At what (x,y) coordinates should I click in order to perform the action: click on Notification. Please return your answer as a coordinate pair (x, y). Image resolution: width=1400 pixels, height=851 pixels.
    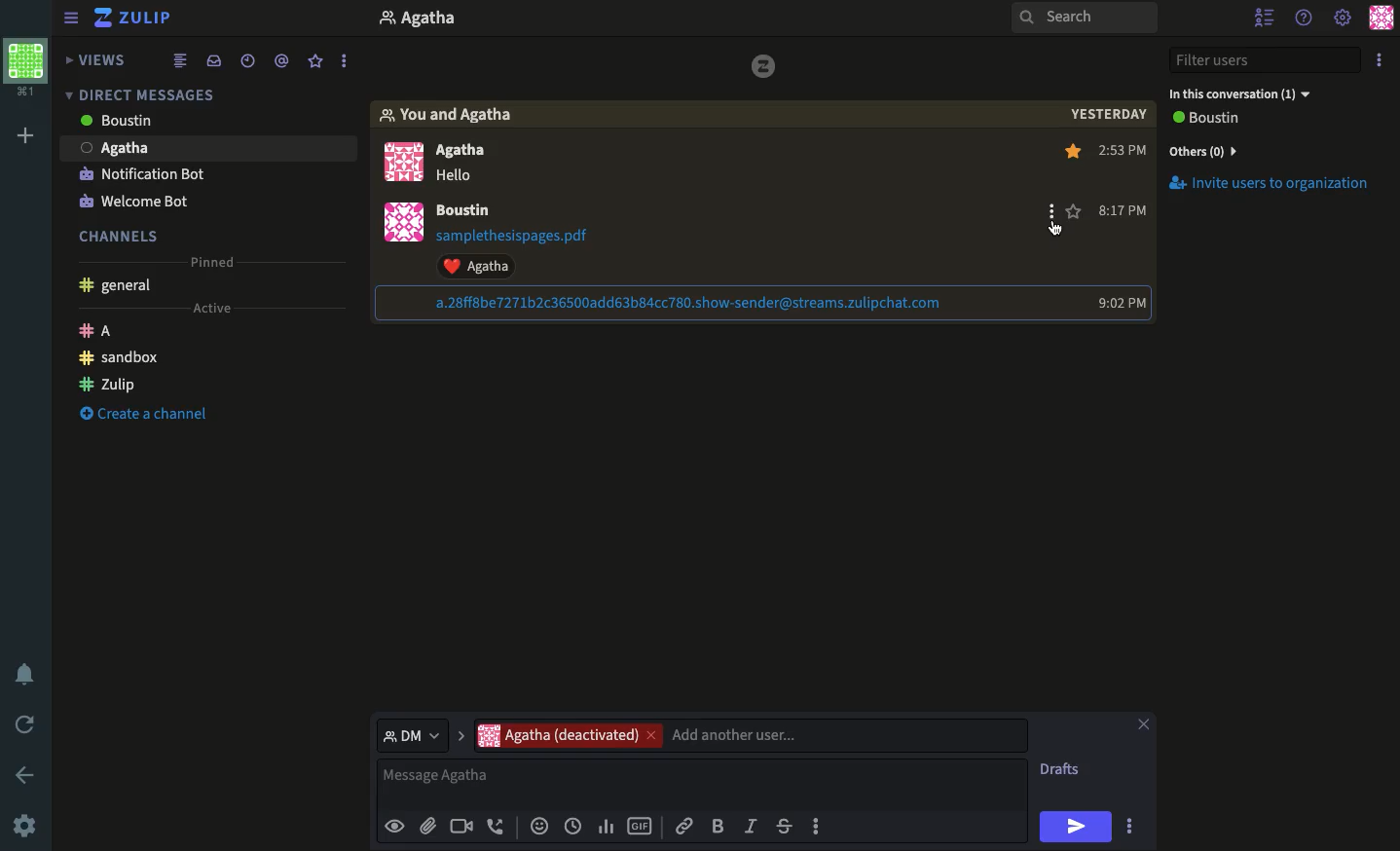
    Looking at the image, I should click on (28, 674).